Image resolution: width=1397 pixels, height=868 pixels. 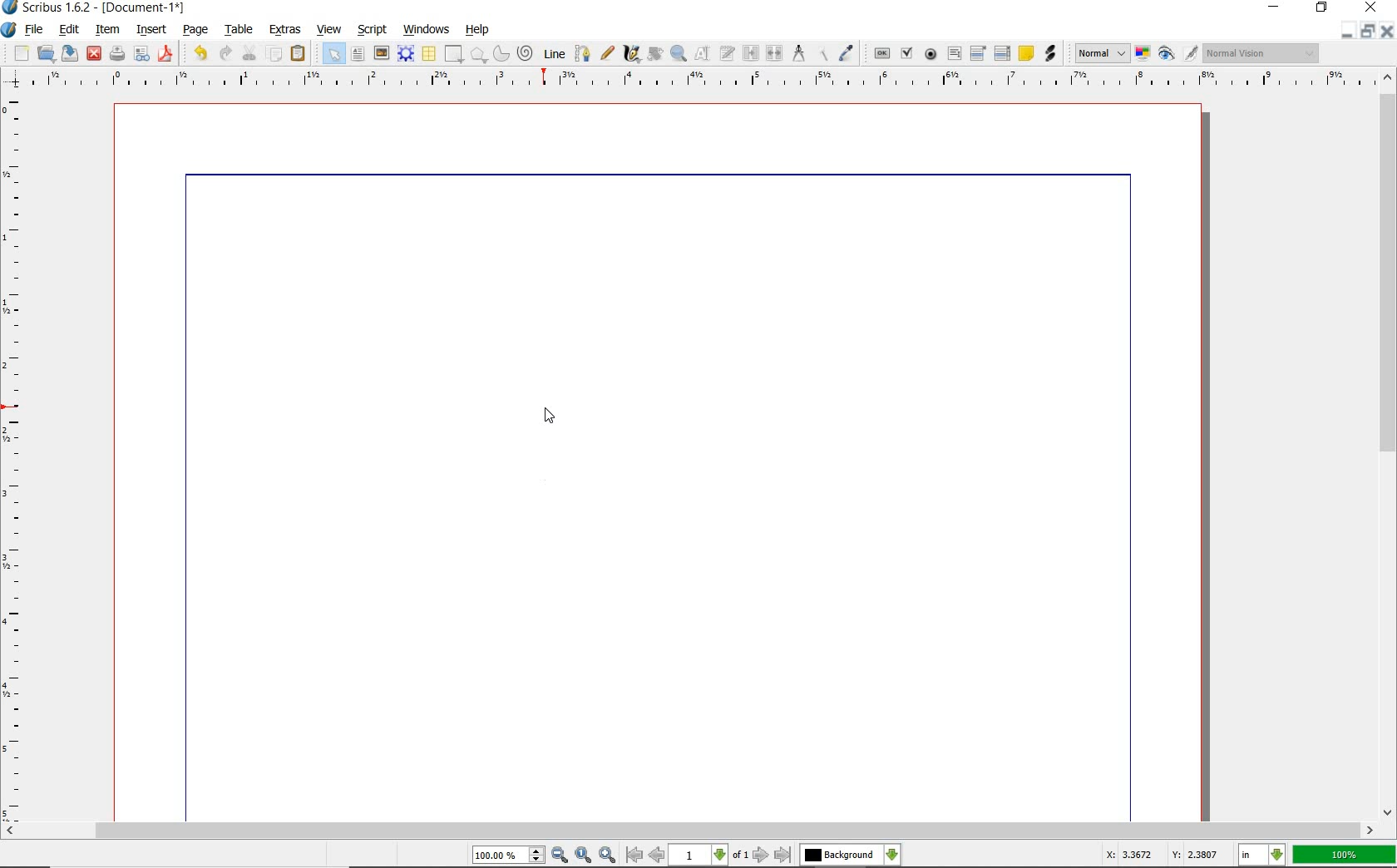 I want to click on line, so click(x=555, y=52).